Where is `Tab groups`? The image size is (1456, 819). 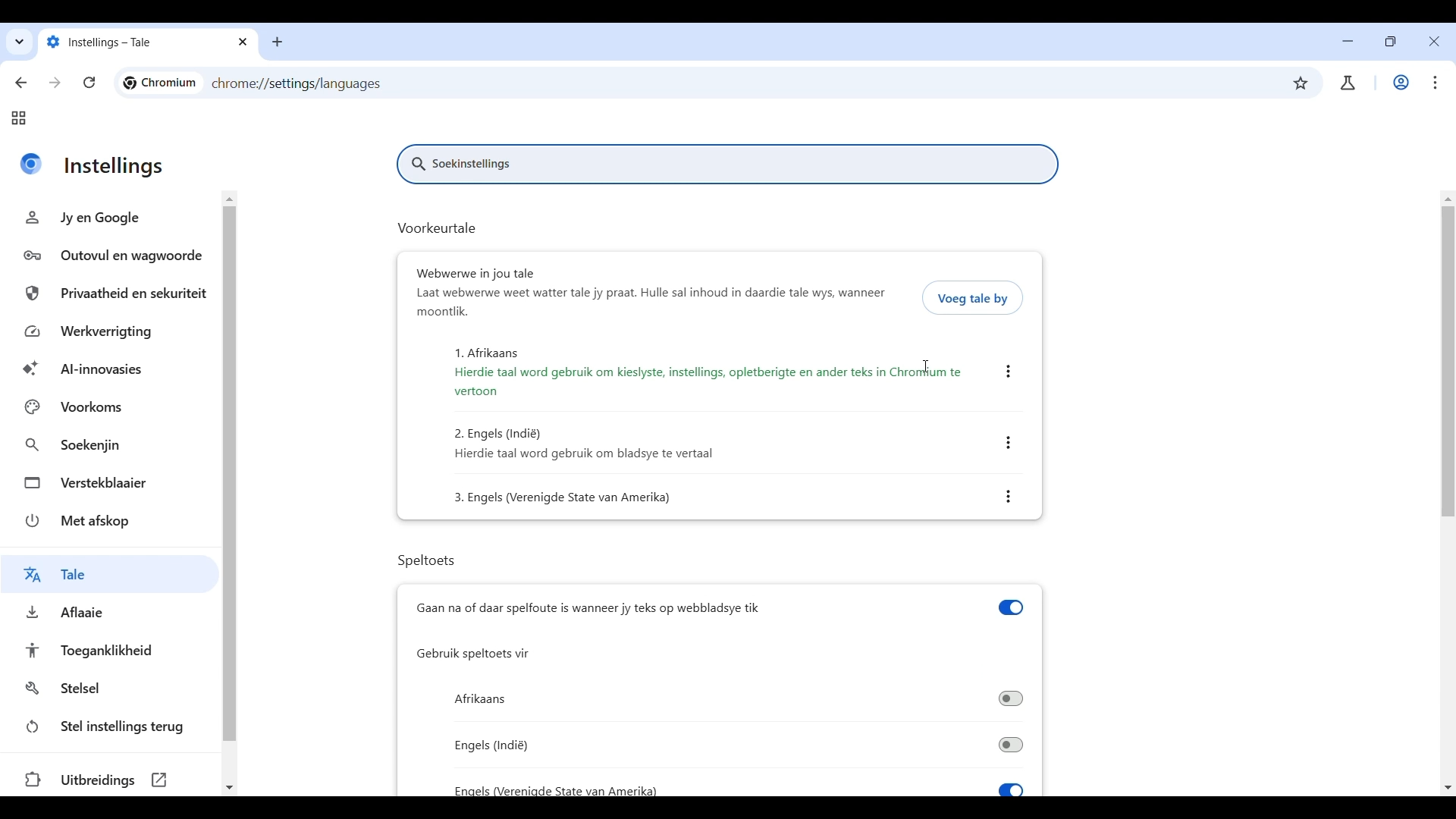 Tab groups is located at coordinates (18, 118).